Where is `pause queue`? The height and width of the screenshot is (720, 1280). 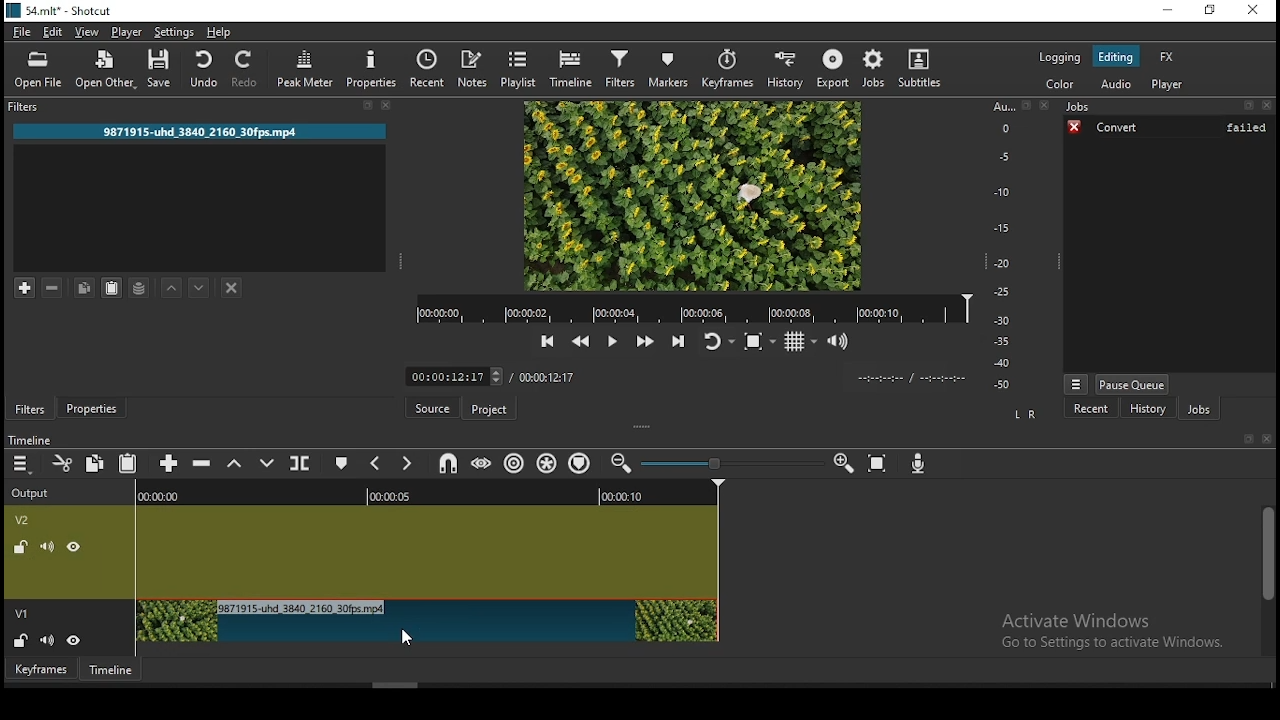 pause queue is located at coordinates (1133, 383).